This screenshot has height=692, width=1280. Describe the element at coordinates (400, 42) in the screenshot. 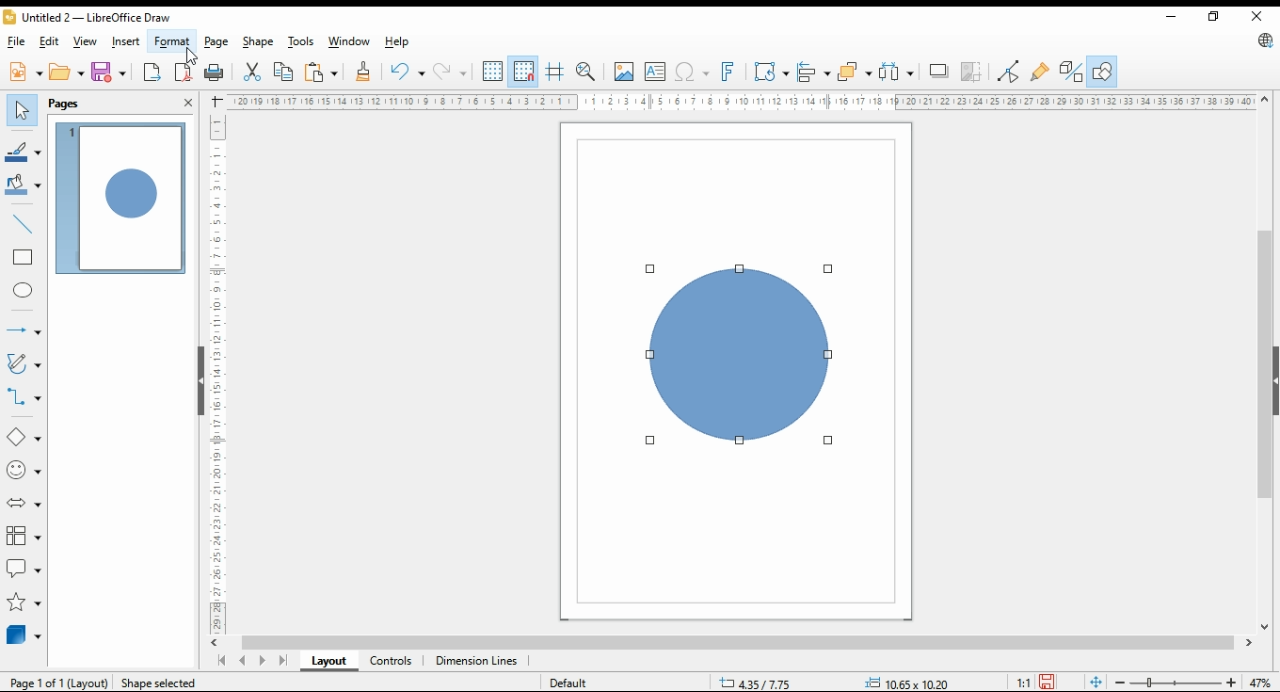

I see `help` at that location.